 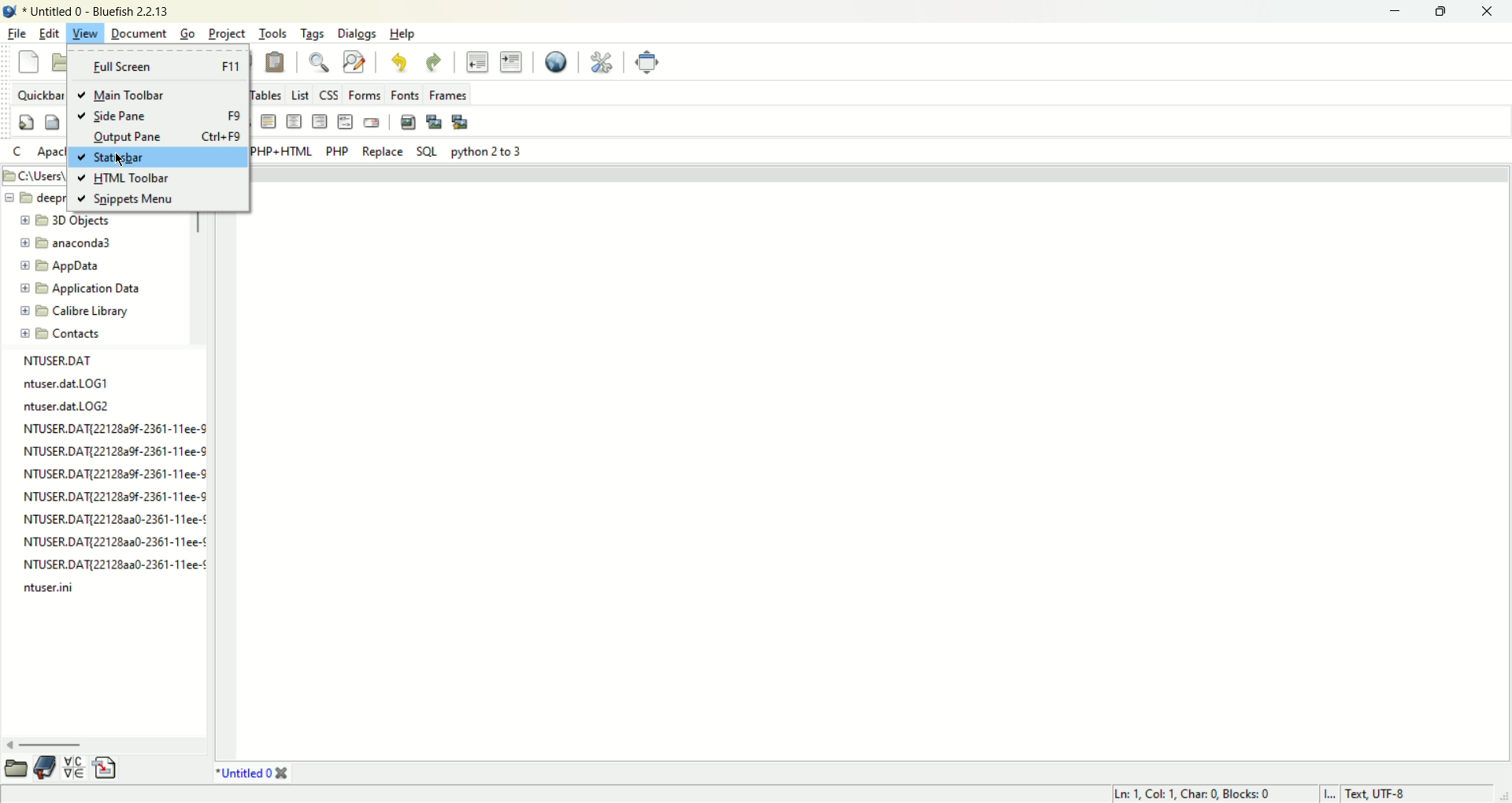 I want to click on charmap, so click(x=72, y=768).